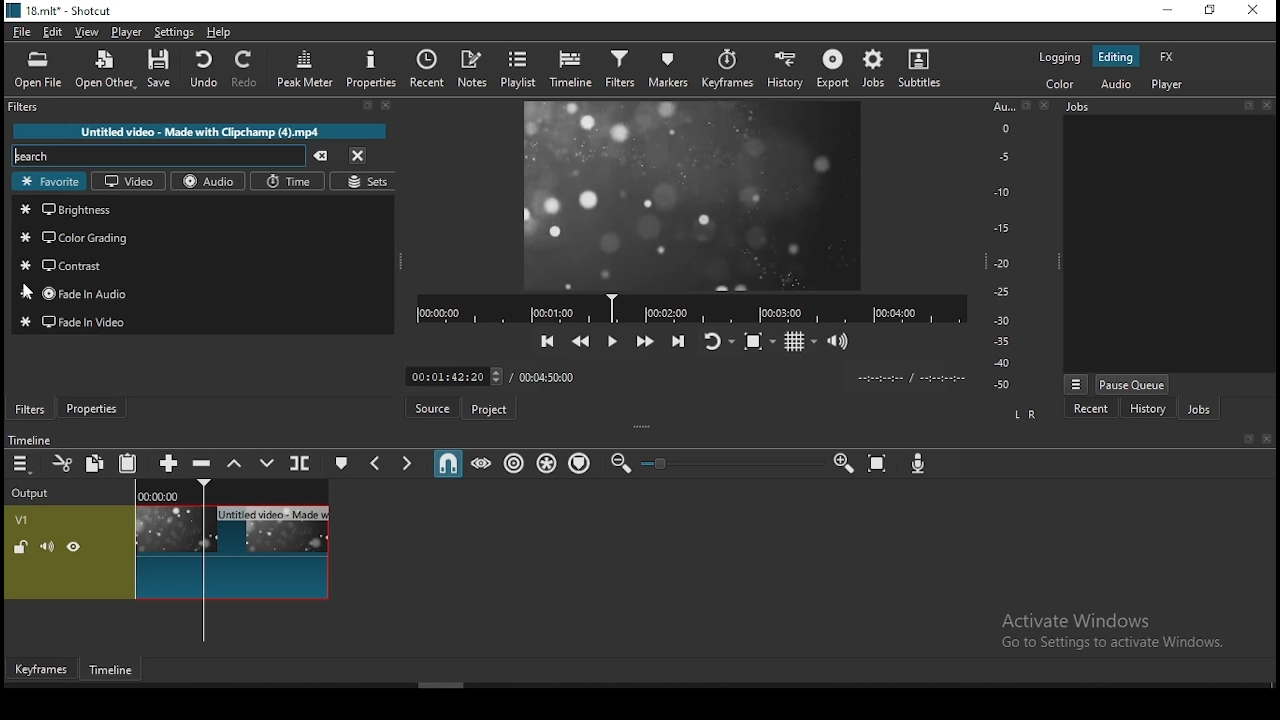 This screenshot has width=1280, height=720. Describe the element at coordinates (513, 463) in the screenshot. I see `ripple` at that location.